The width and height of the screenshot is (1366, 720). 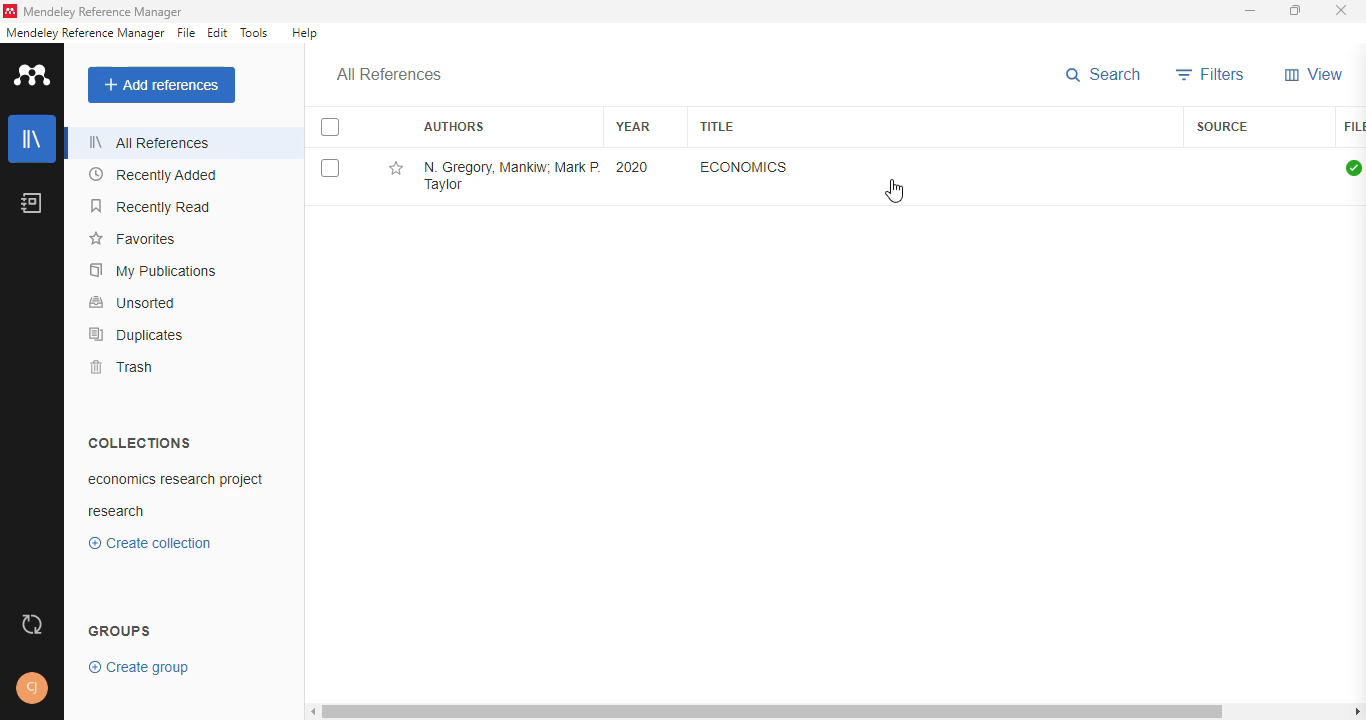 What do you see at coordinates (137, 334) in the screenshot?
I see `duplicates` at bounding box center [137, 334].